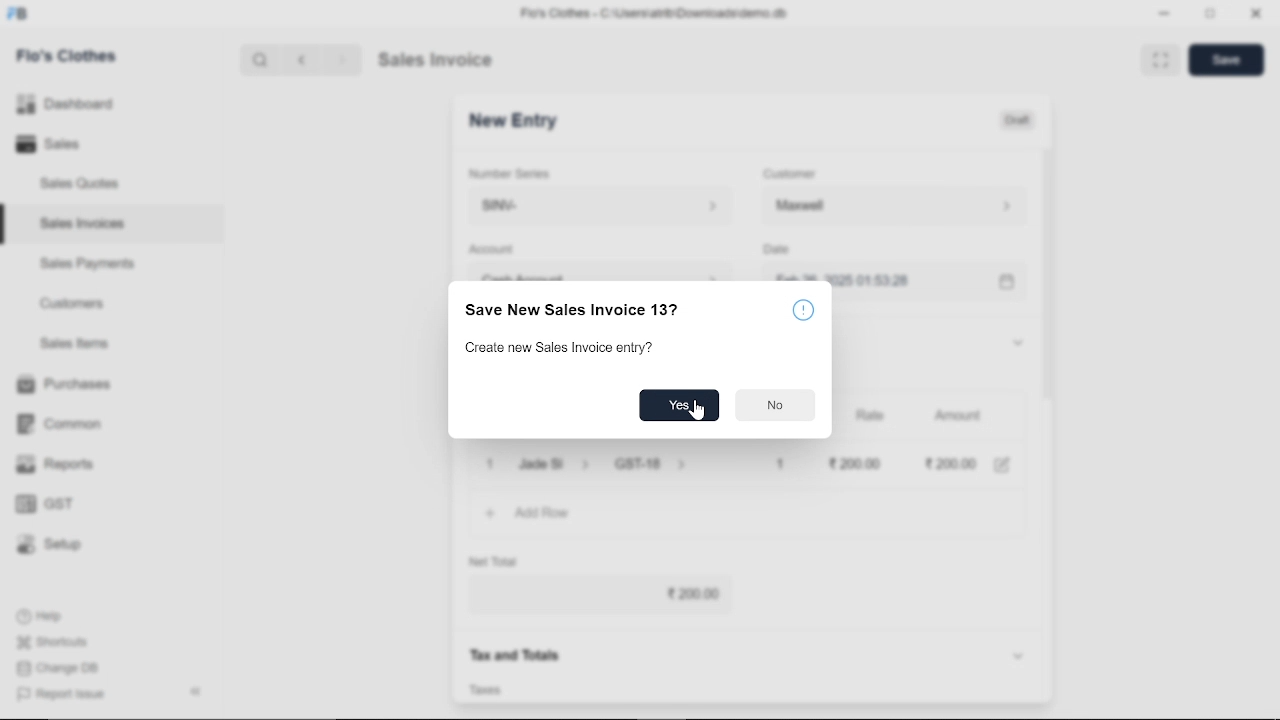 This screenshot has width=1280, height=720. Describe the element at coordinates (698, 411) in the screenshot. I see `cursor` at that location.